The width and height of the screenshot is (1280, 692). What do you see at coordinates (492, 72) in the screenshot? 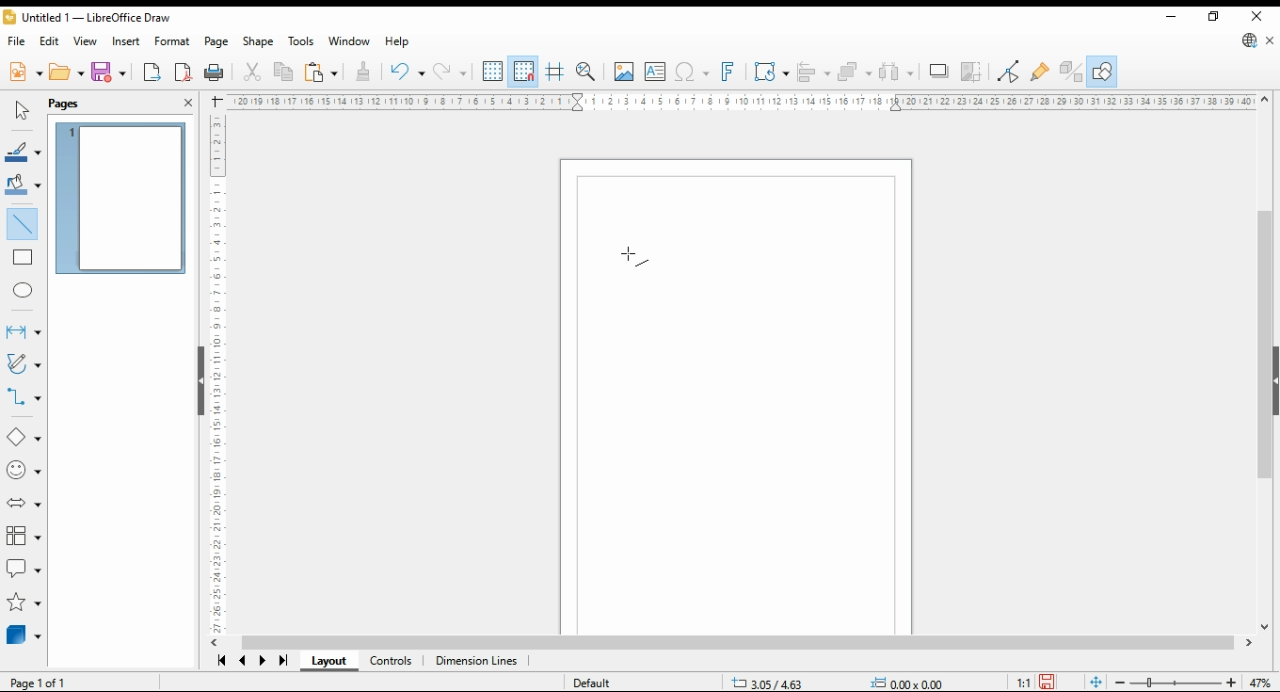
I see `show grids` at bounding box center [492, 72].